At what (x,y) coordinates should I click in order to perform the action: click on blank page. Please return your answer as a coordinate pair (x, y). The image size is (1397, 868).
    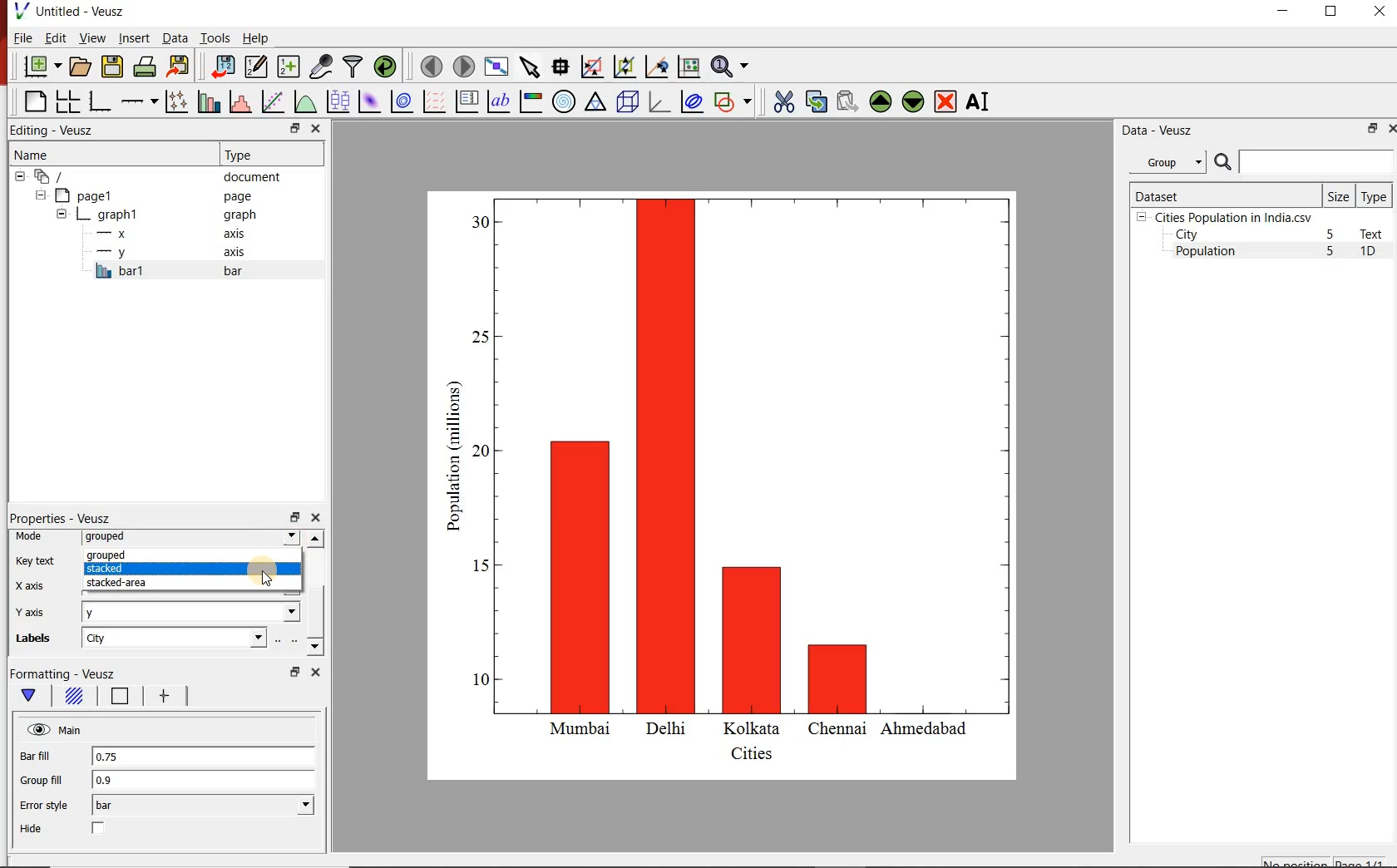
    Looking at the image, I should click on (33, 102).